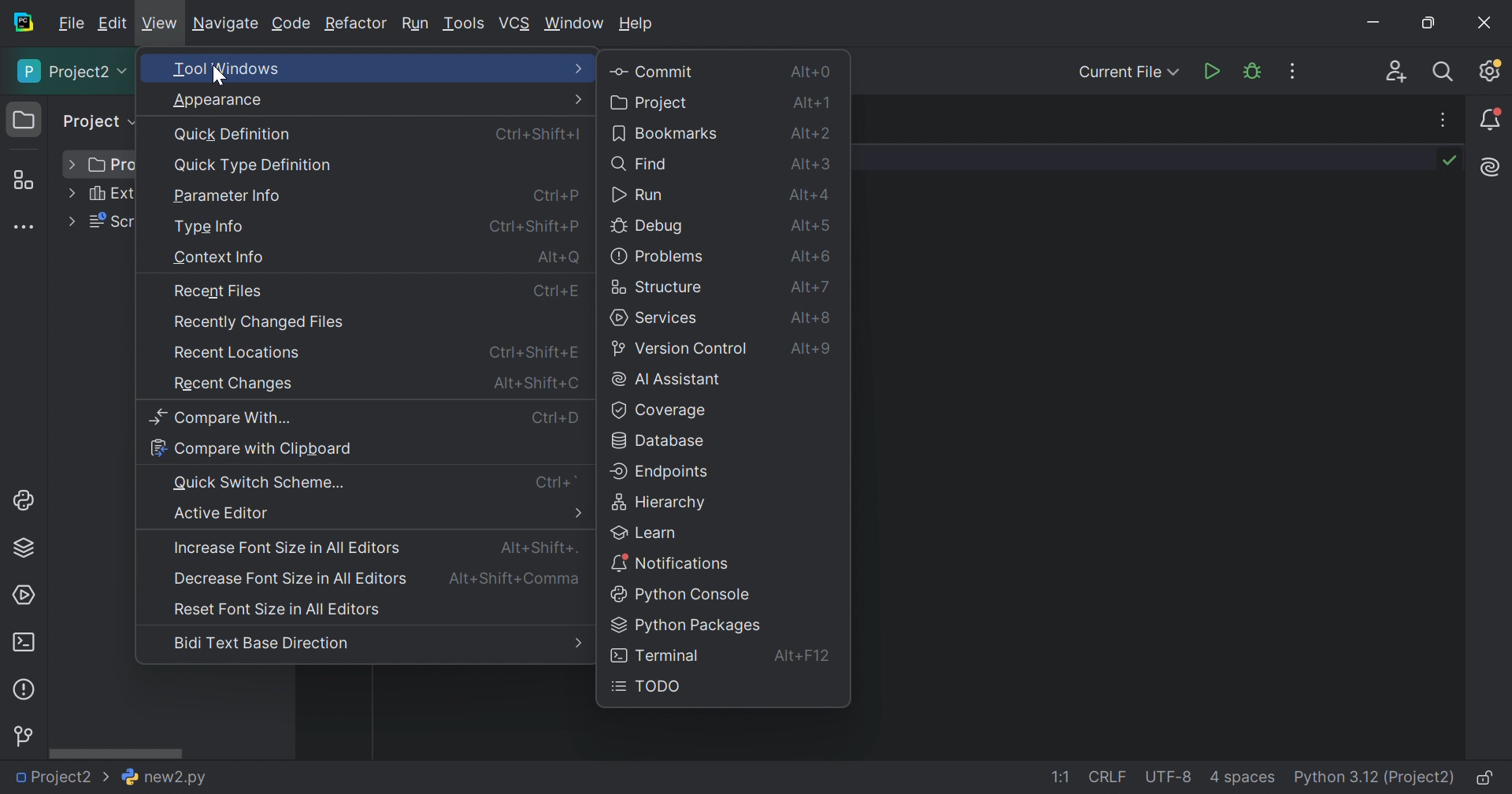  I want to click on Updates available. IDE and Project Settings, so click(1489, 72).